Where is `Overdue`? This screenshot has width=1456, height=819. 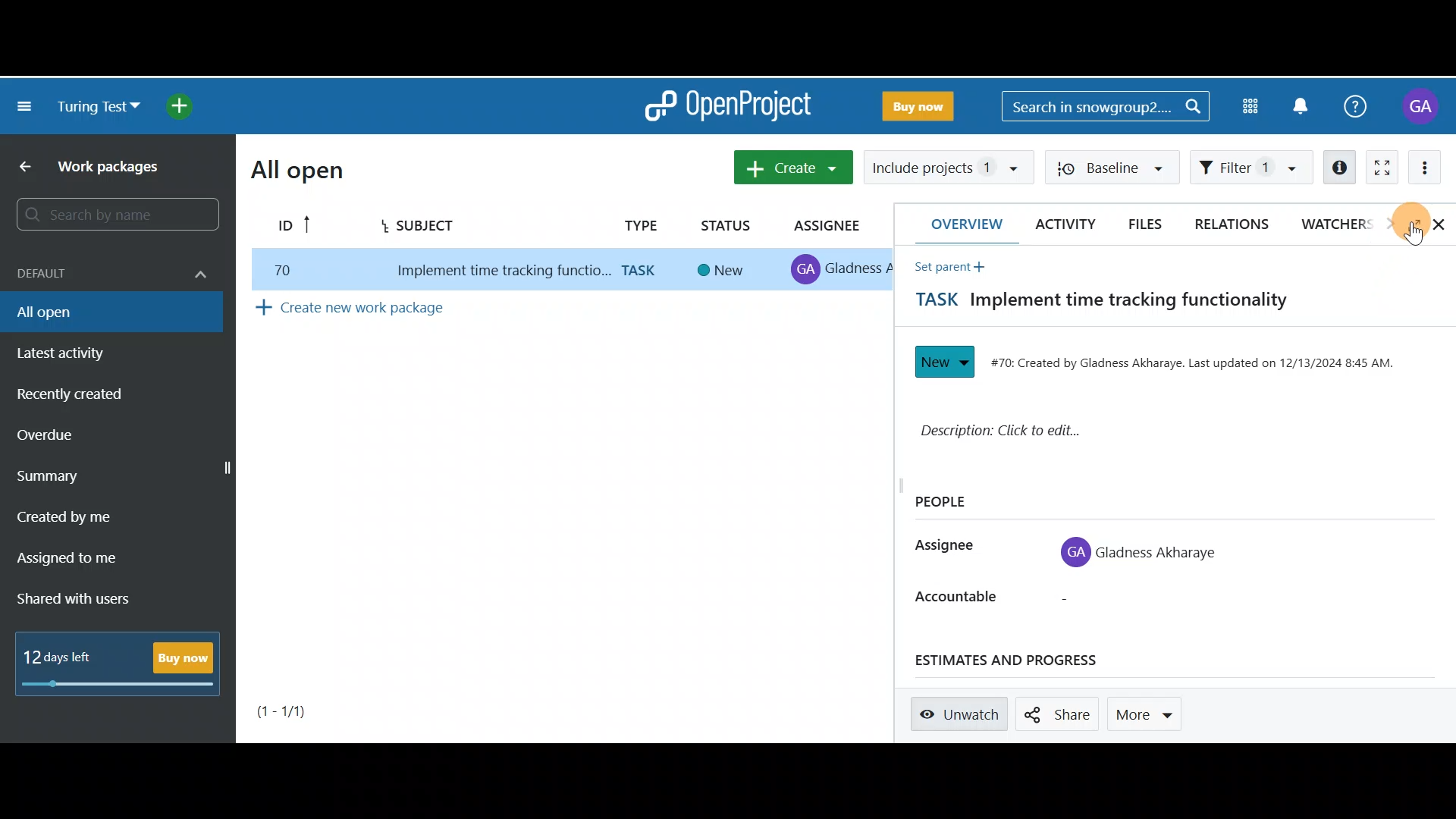 Overdue is located at coordinates (86, 440).